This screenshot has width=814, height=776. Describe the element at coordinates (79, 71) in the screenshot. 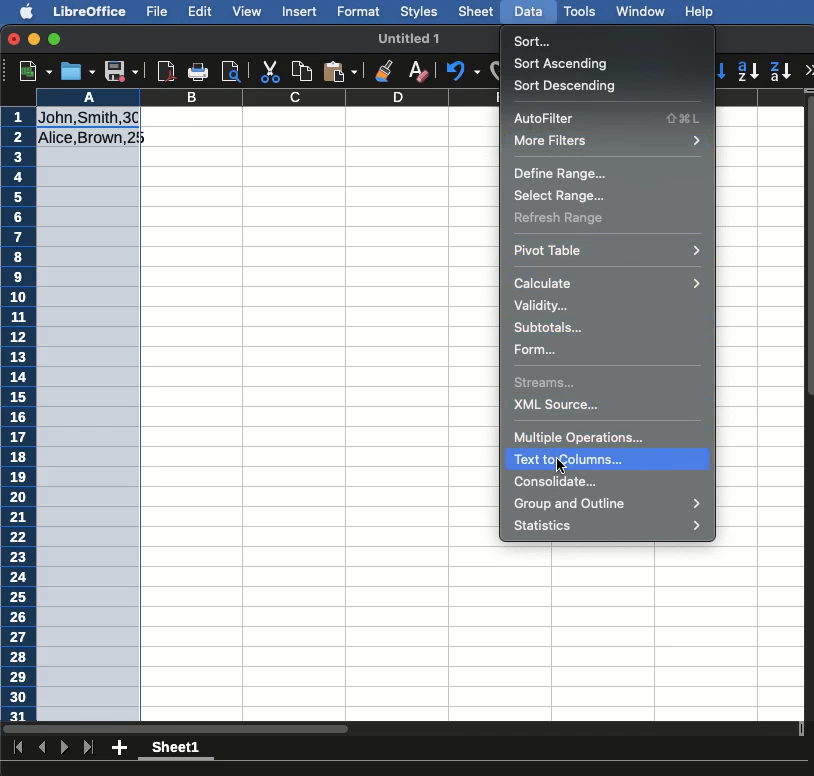

I see `Open` at that location.